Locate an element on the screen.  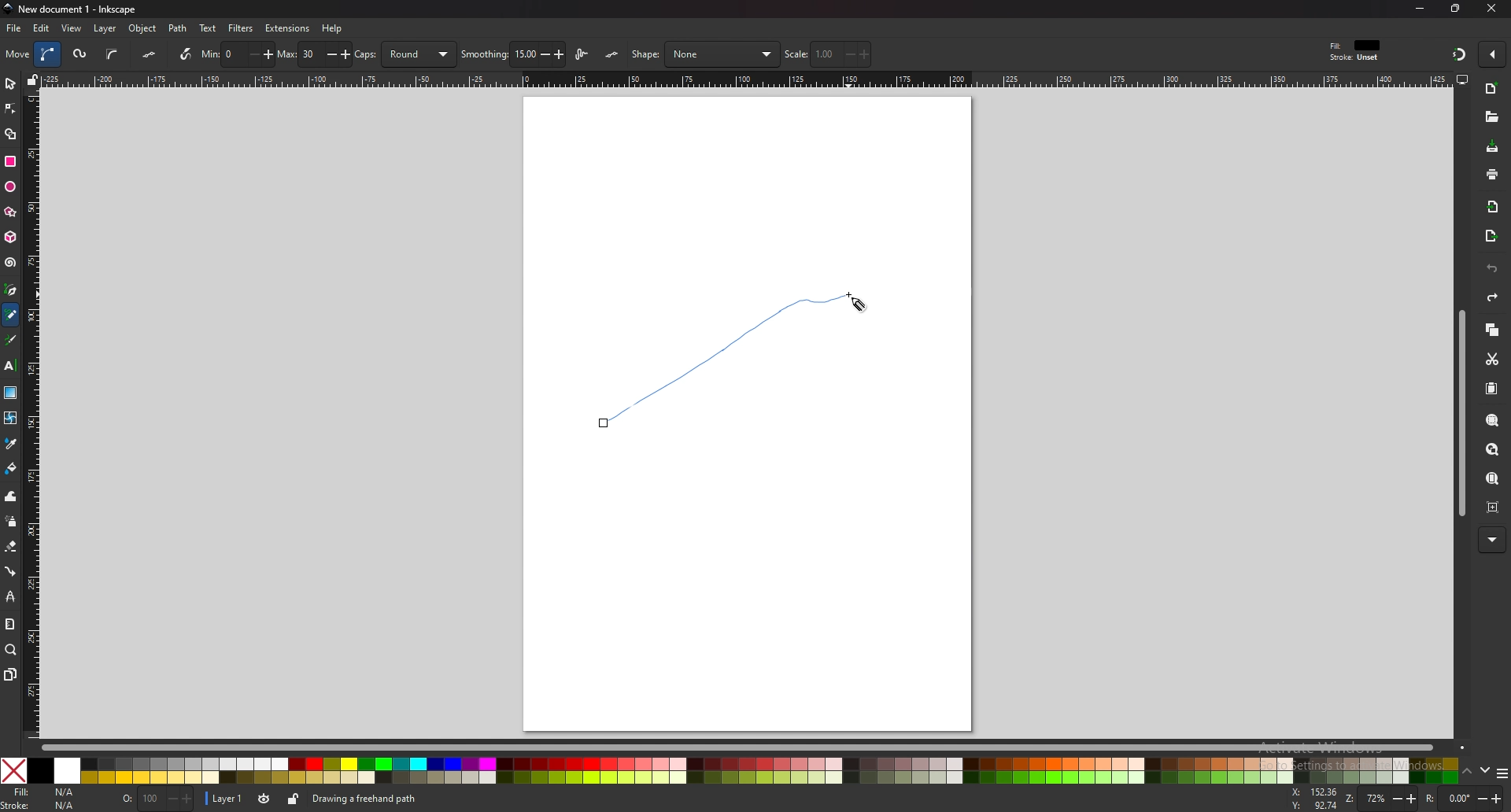
import is located at coordinates (1493, 206).